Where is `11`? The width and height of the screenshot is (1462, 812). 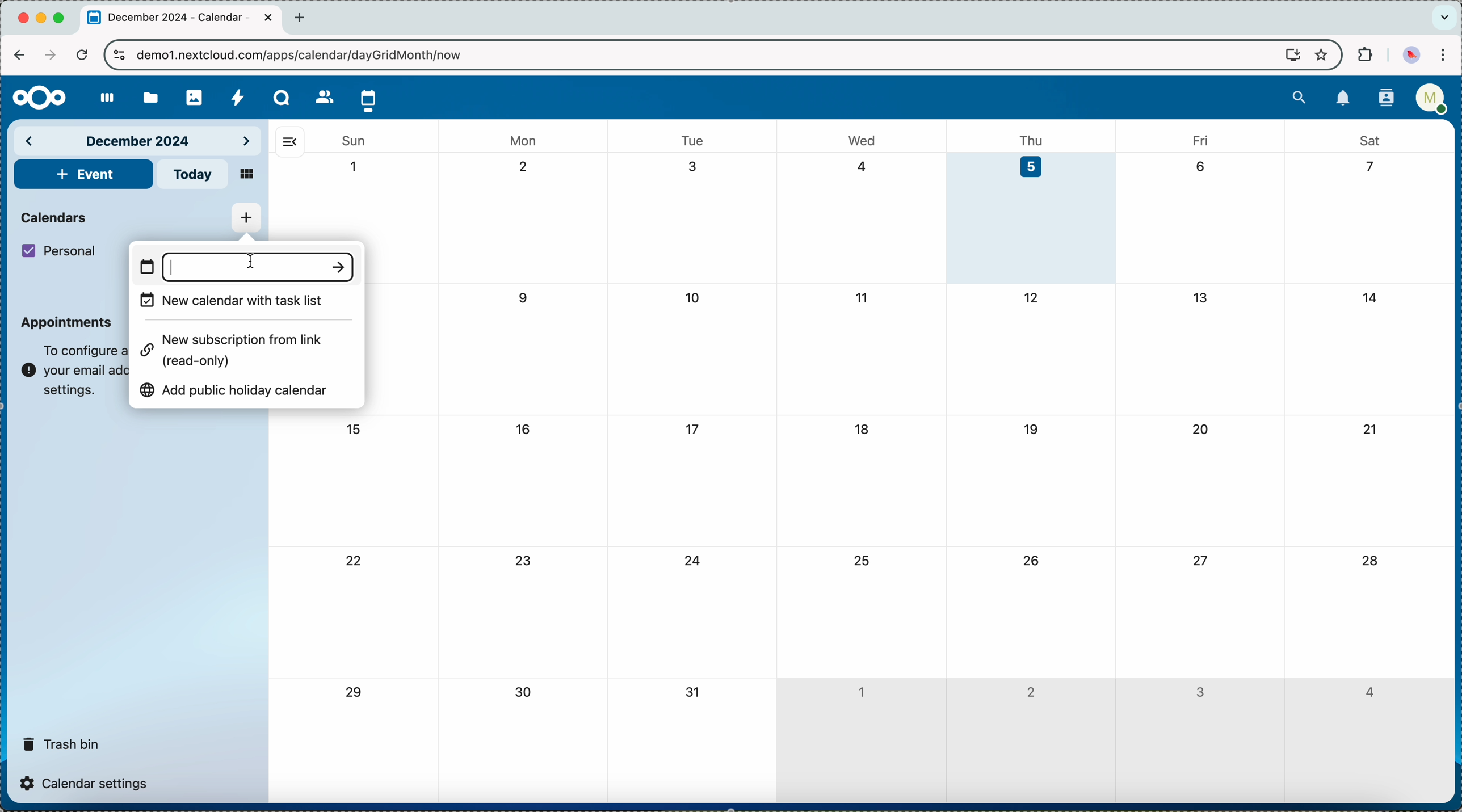 11 is located at coordinates (860, 297).